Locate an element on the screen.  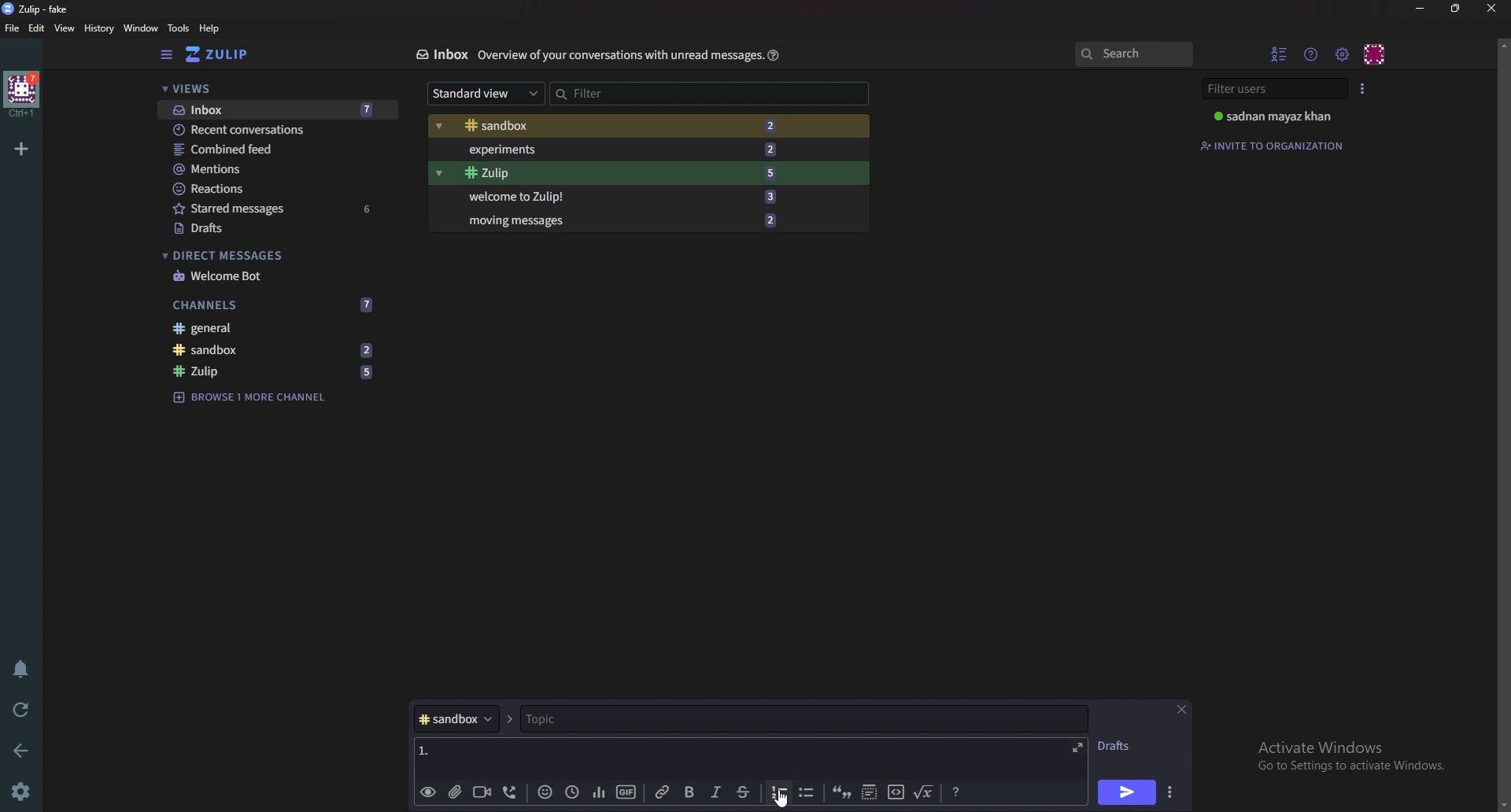
Direct messages is located at coordinates (268, 256).